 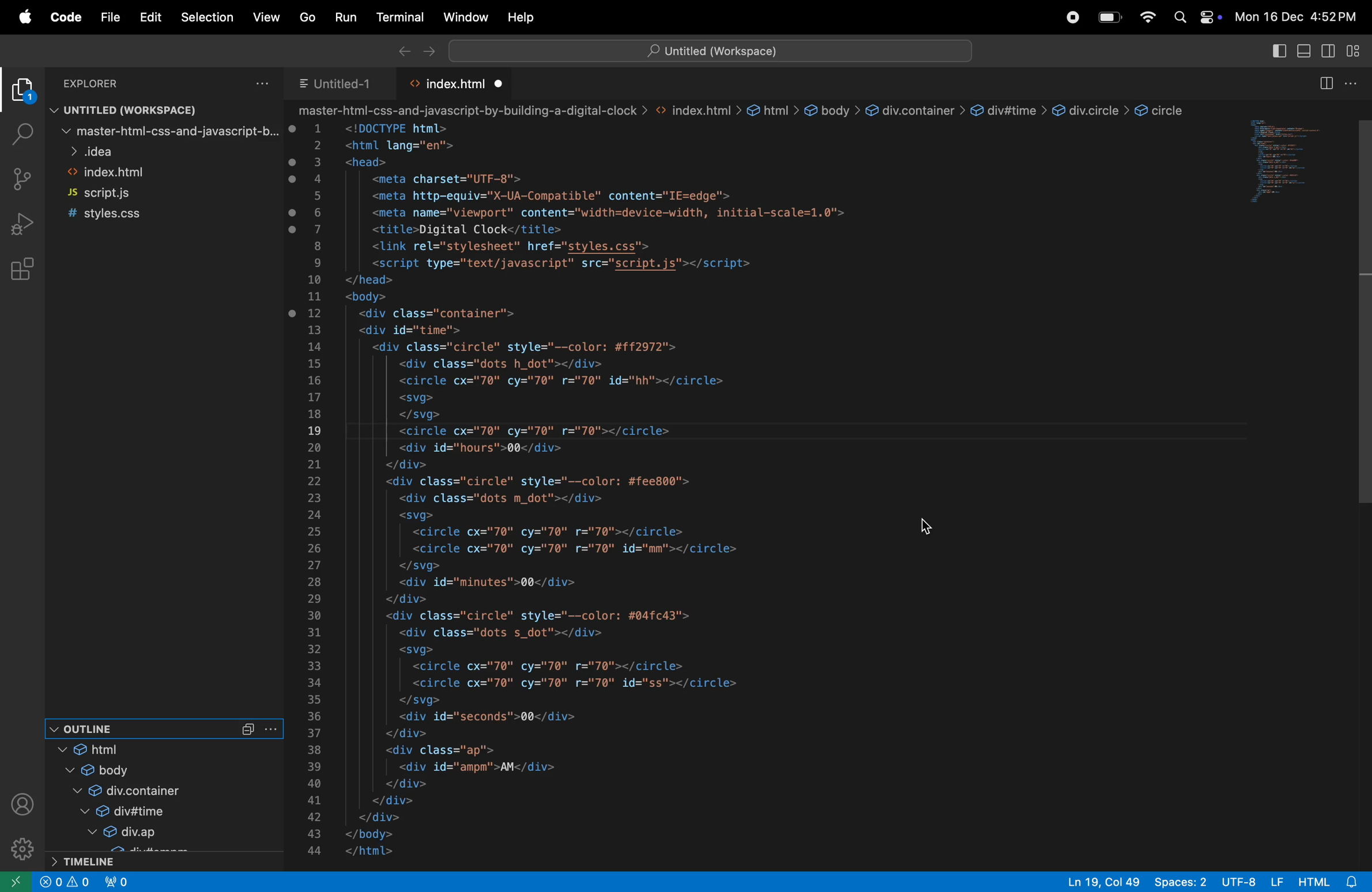 I want to click on chatgpt, so click(x=1067, y=16).